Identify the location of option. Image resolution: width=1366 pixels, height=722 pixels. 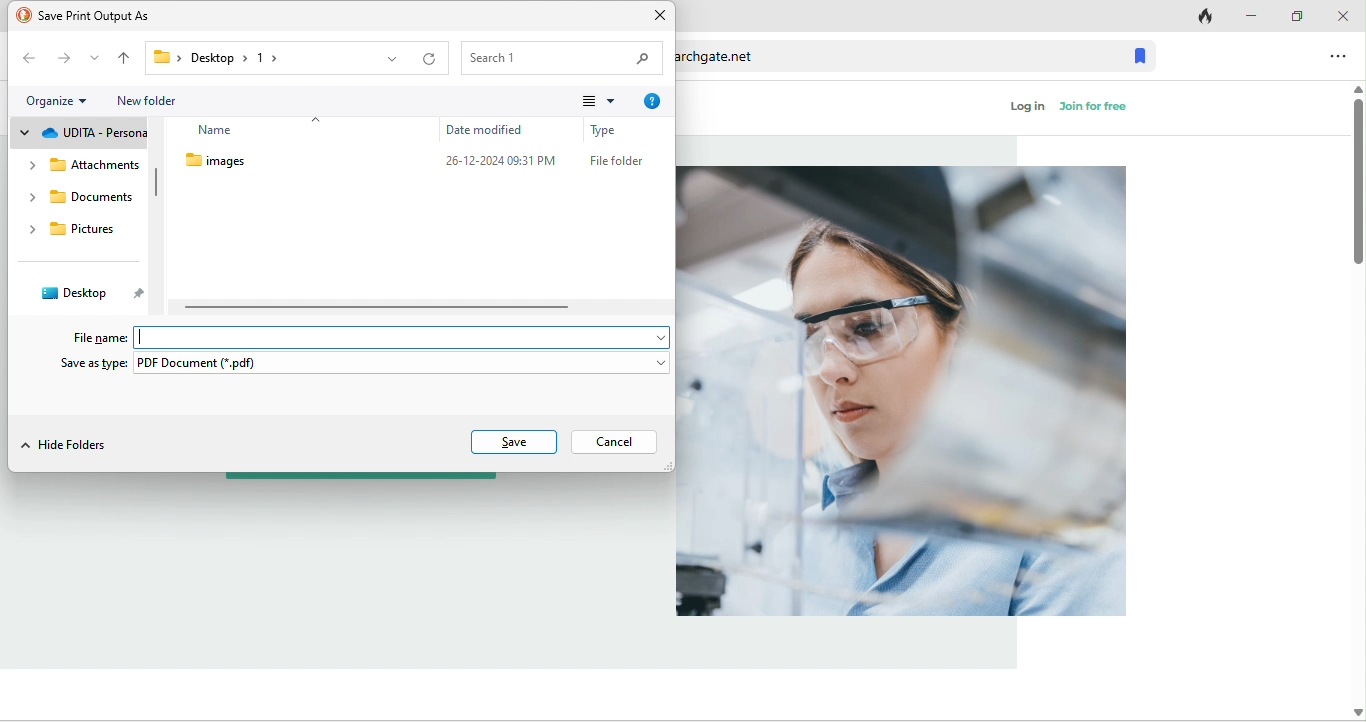
(1342, 56).